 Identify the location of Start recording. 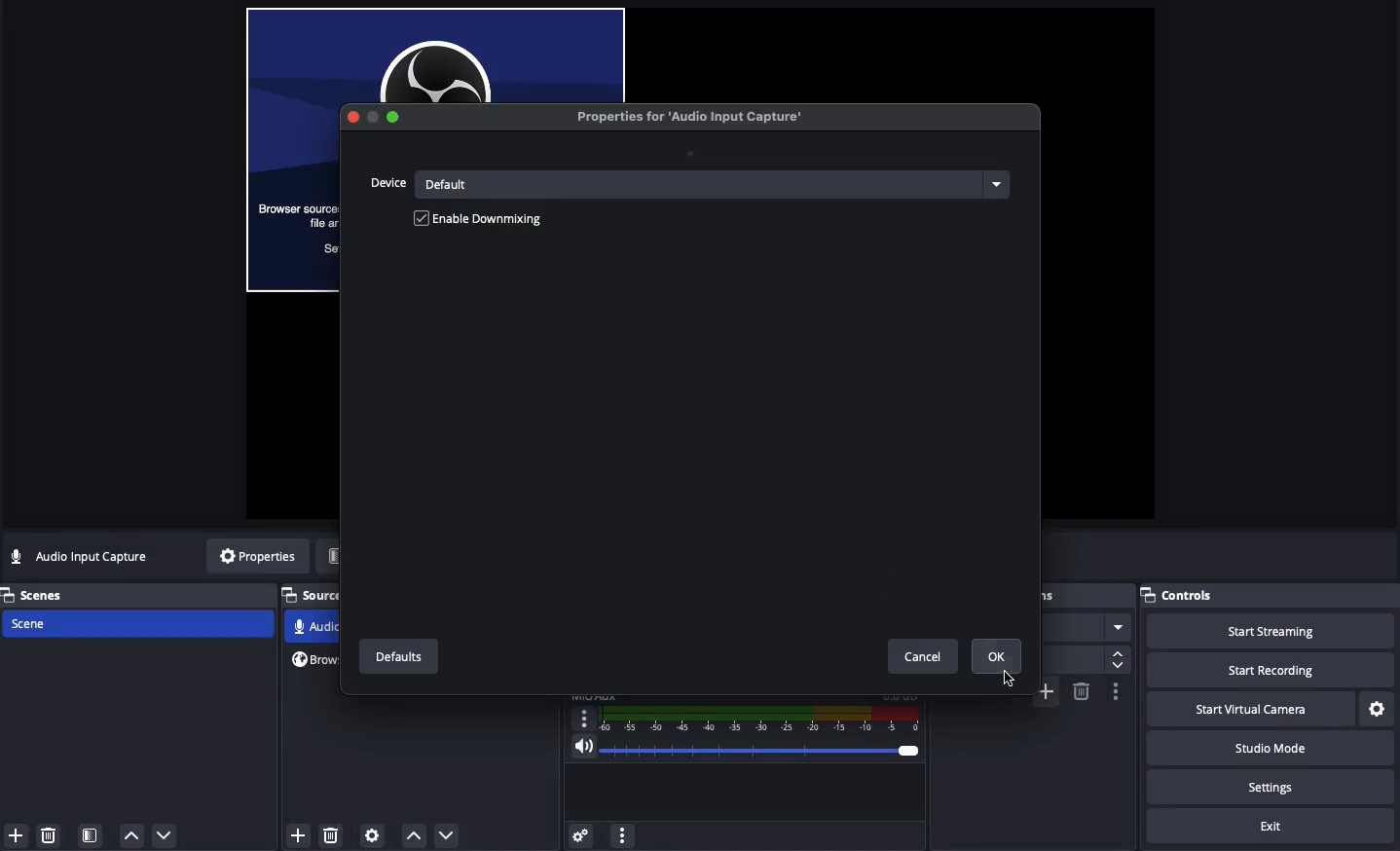
(1268, 670).